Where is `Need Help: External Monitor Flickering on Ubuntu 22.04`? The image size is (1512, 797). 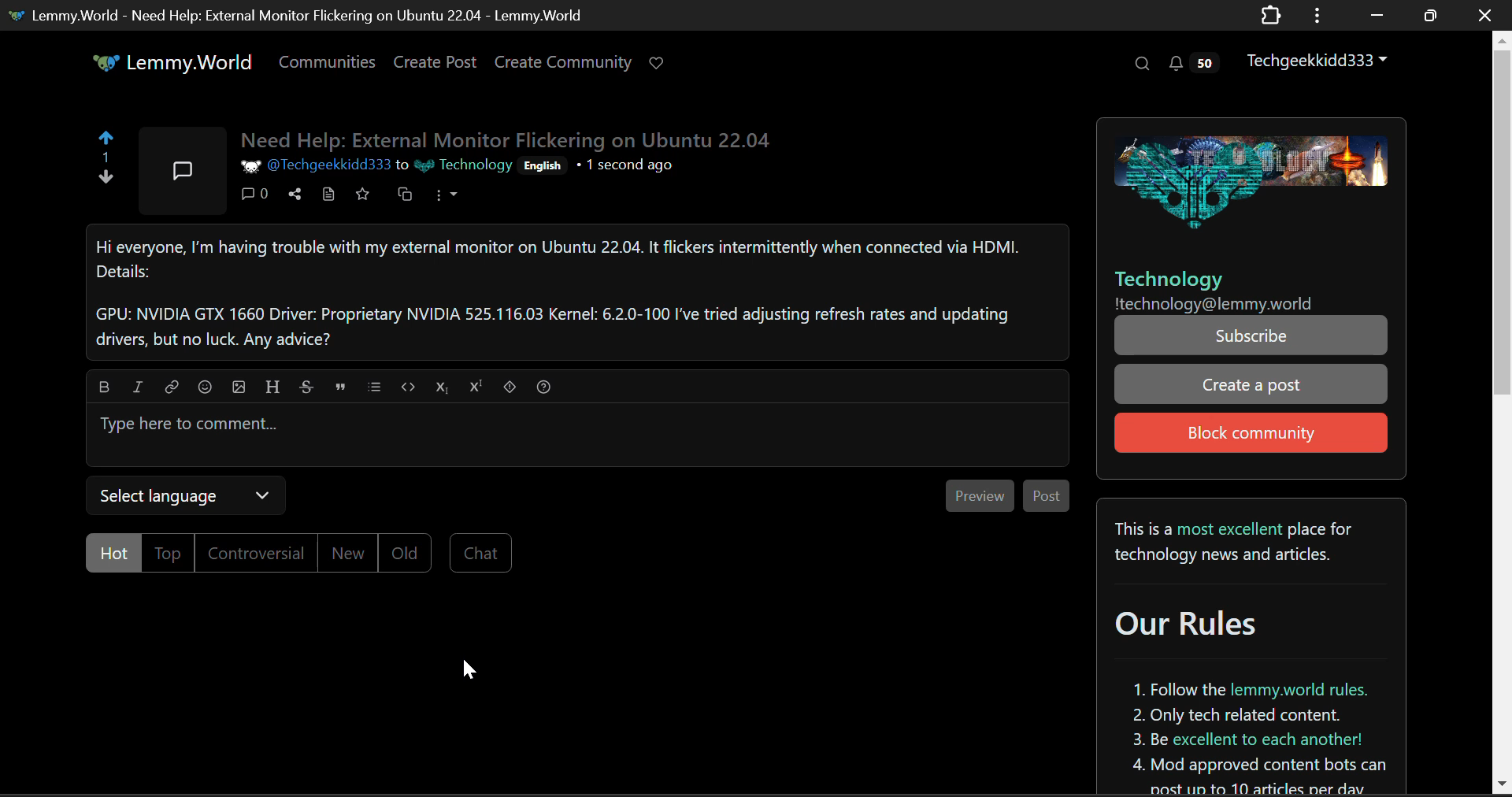
Need Help: External Monitor Flickering on Ubuntu 22.04 is located at coordinates (510, 141).